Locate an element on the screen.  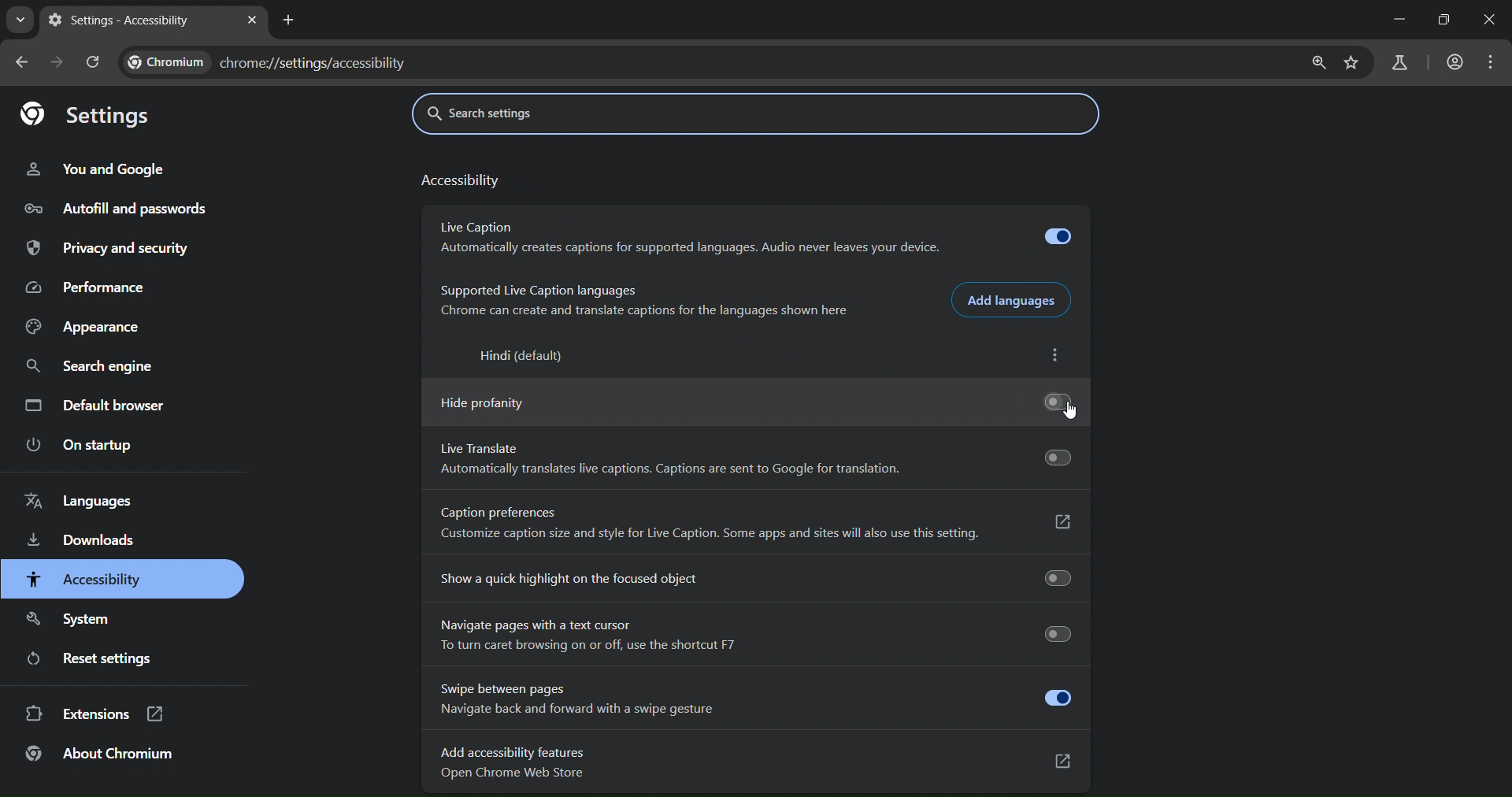
on startup is located at coordinates (80, 446).